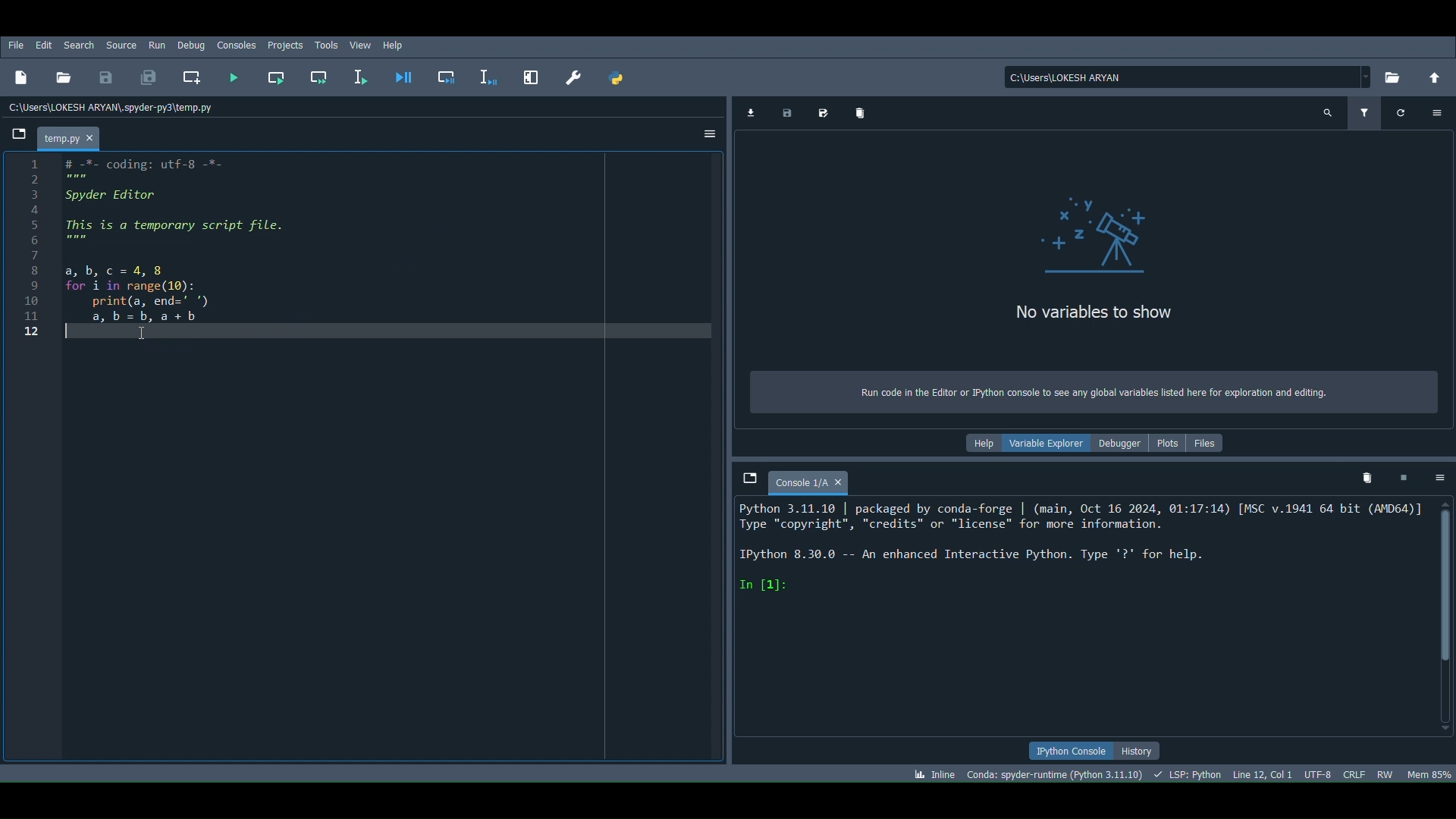 This screenshot has height=819, width=1456. I want to click on File permissions, so click(1385, 772).